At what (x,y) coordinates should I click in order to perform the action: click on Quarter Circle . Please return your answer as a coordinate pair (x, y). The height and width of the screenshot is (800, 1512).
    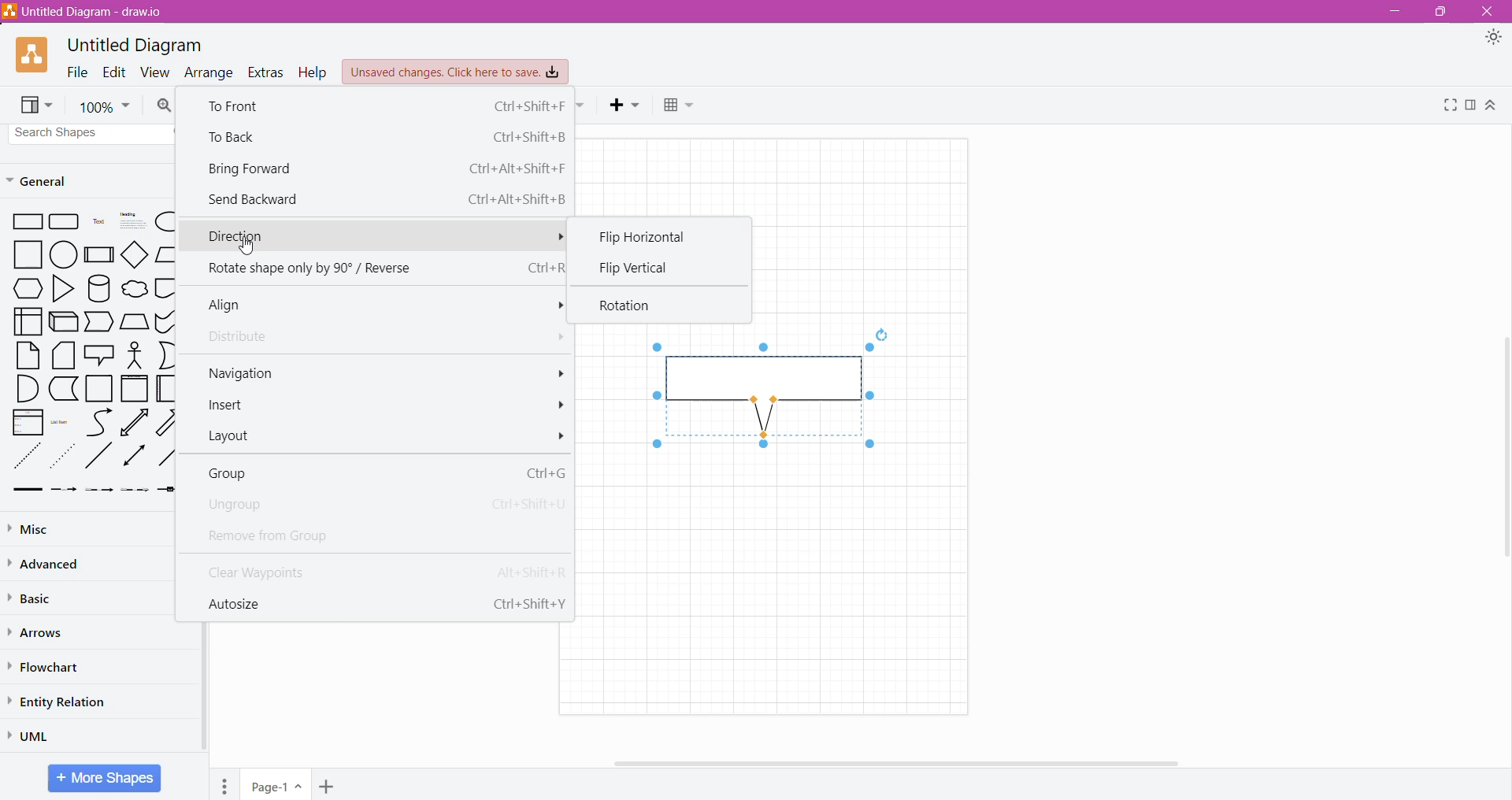
    Looking at the image, I should click on (26, 388).